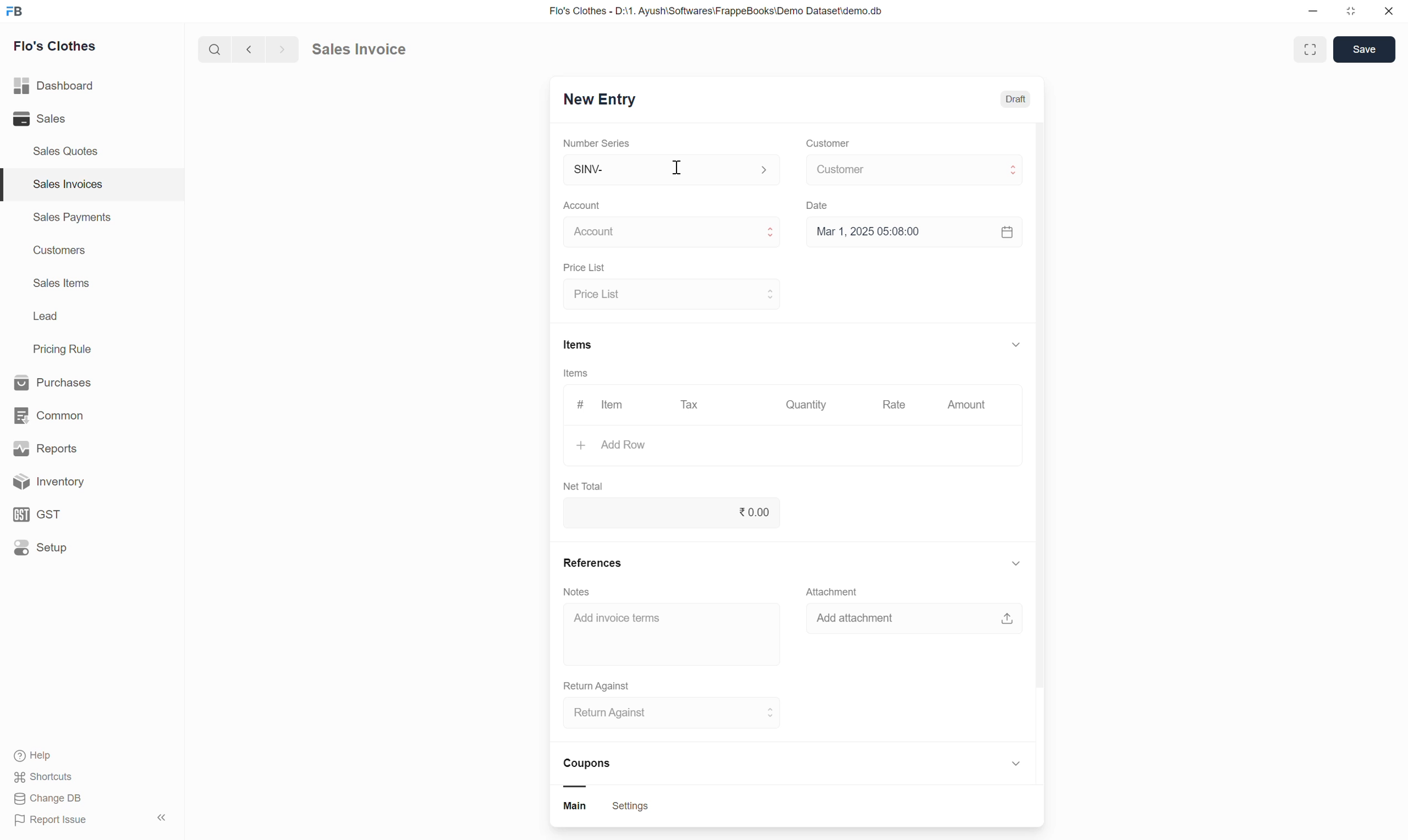 This screenshot has width=1408, height=840. Describe the element at coordinates (50, 800) in the screenshot. I see `Change DB` at that location.